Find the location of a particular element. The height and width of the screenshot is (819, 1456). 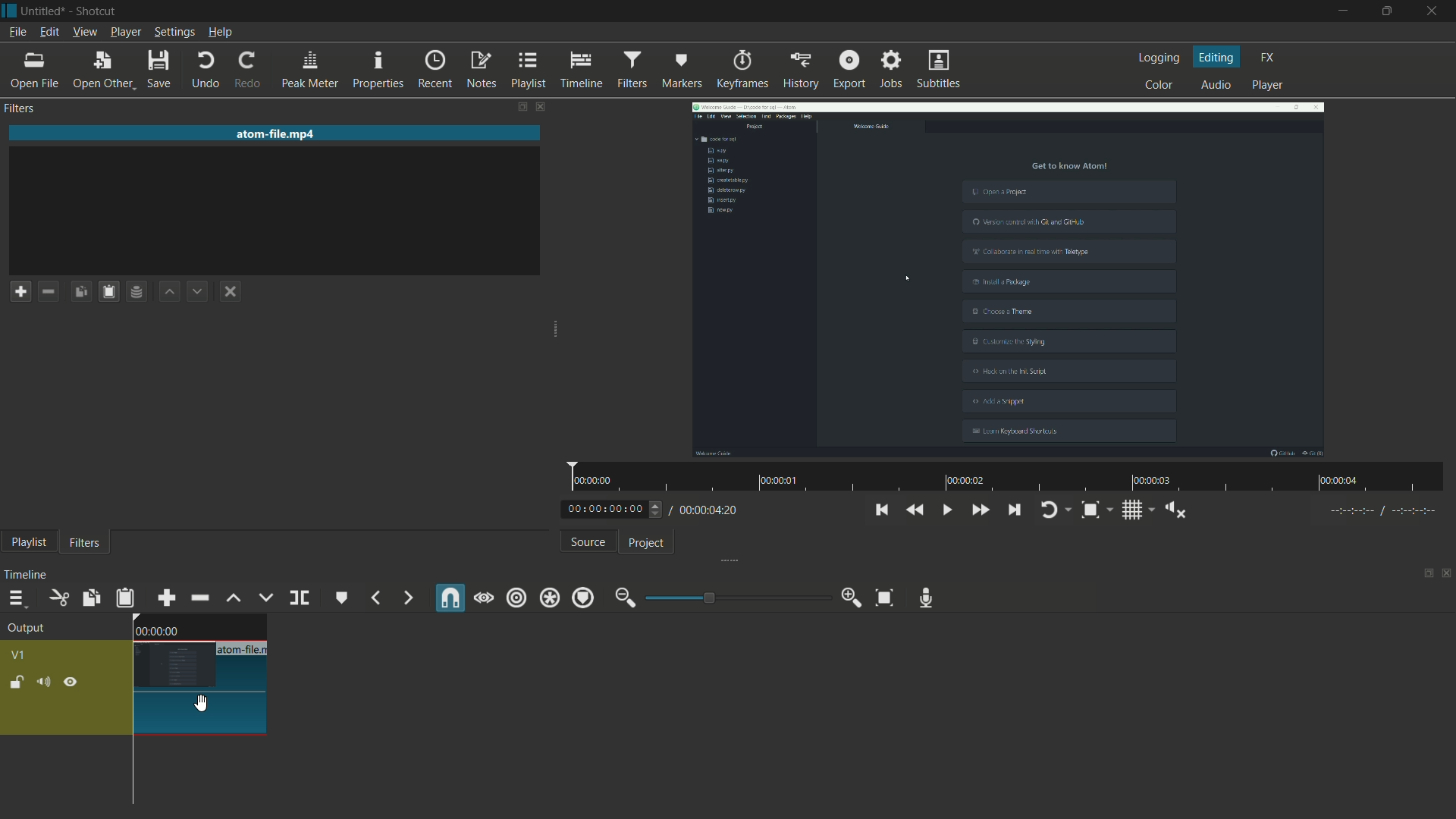

source is located at coordinates (585, 541).